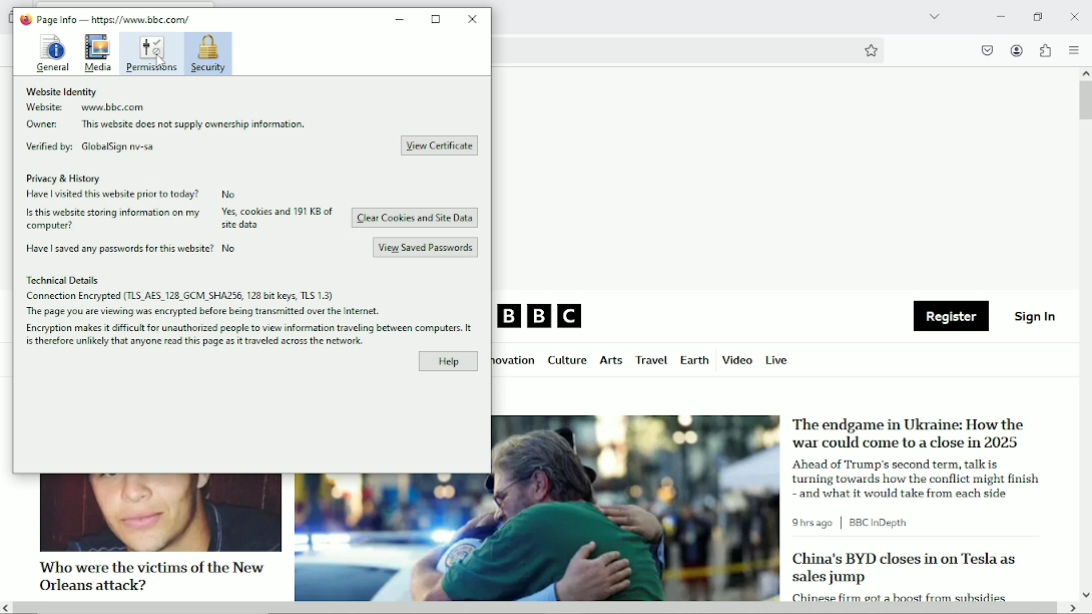 The image size is (1092, 614). I want to click on View Certificate, so click(440, 145).